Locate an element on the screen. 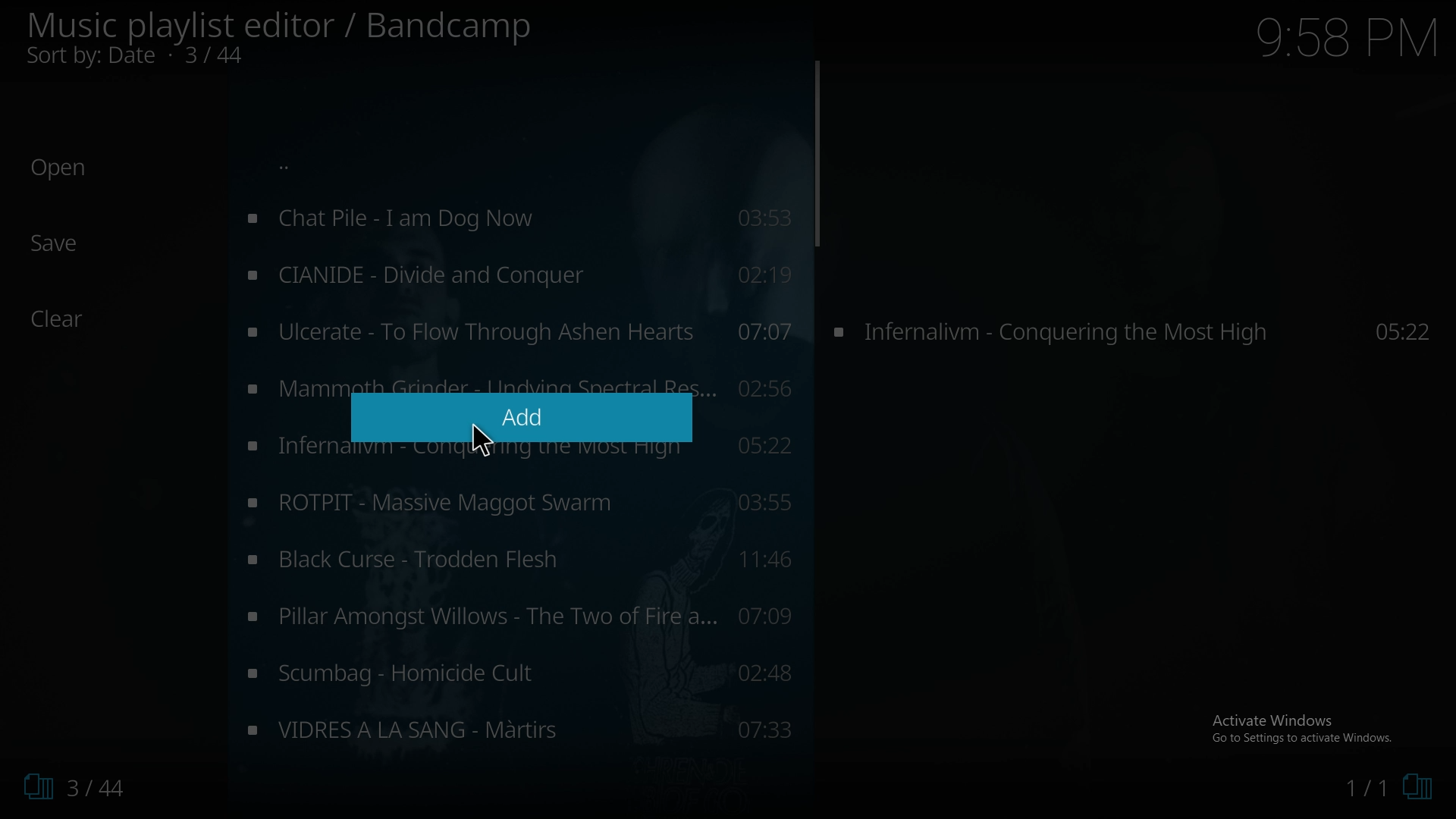 The height and width of the screenshot is (819, 1456). Clear is located at coordinates (66, 319).